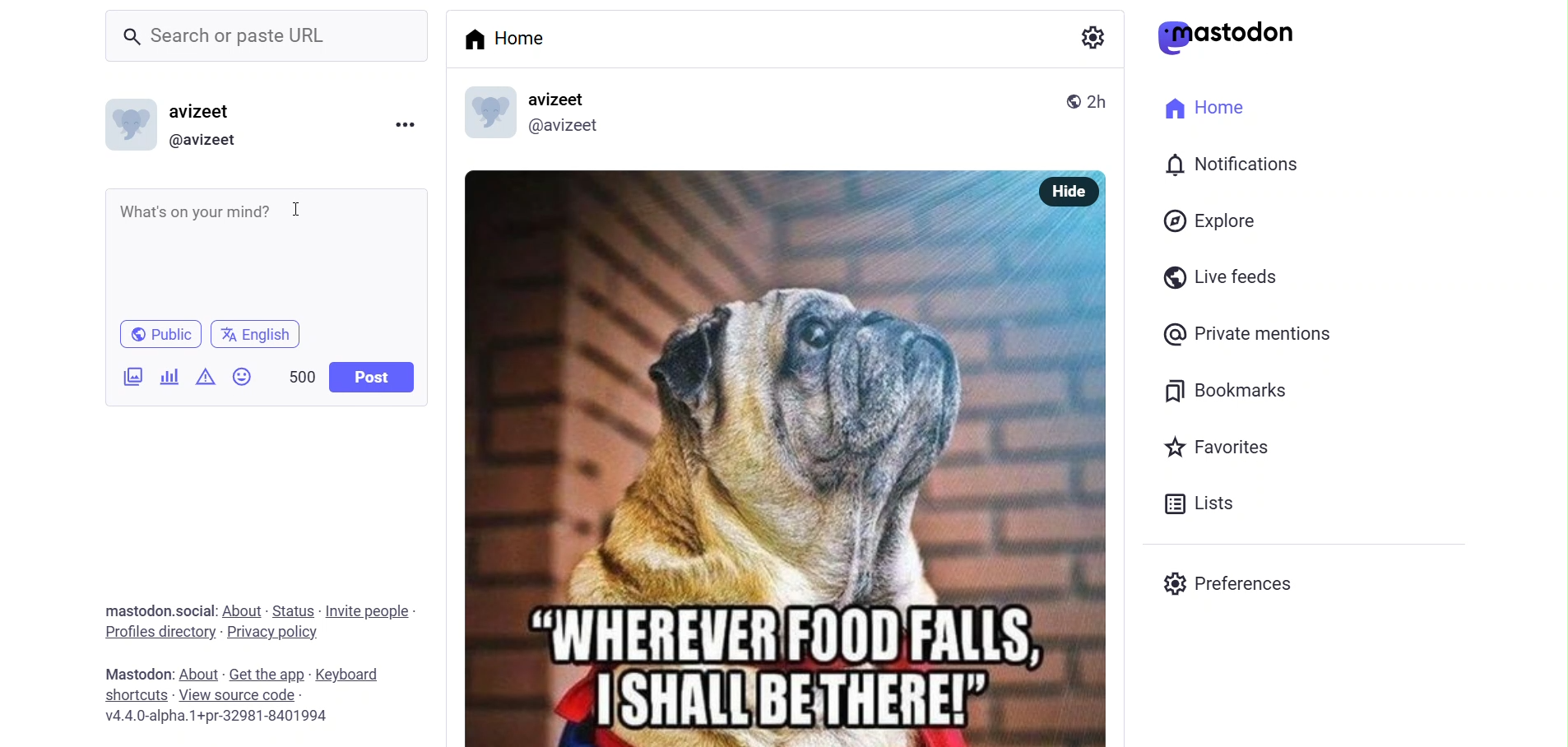 This screenshot has width=1568, height=747. I want to click on setting, so click(1092, 36).